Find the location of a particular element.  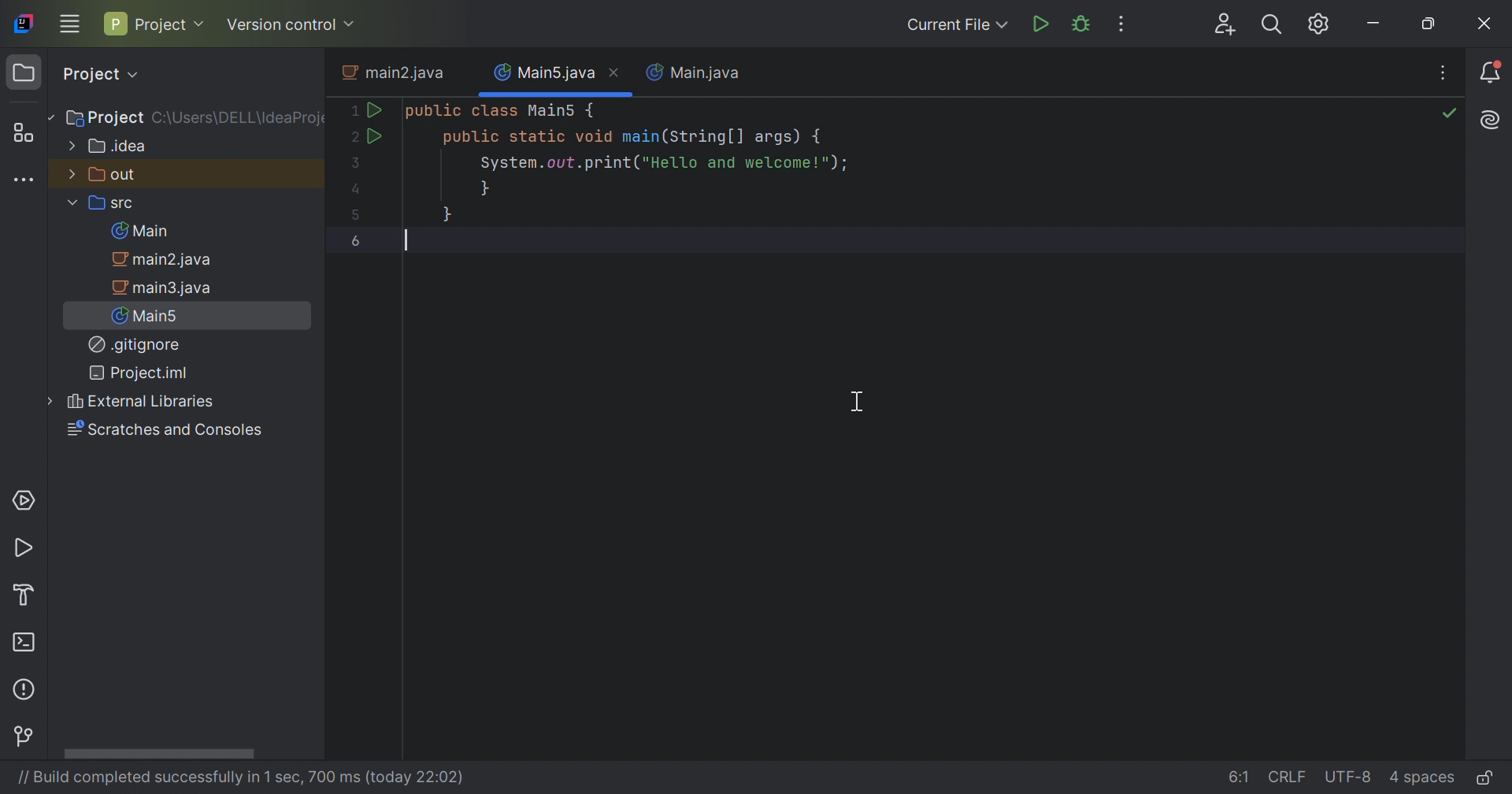

Current File is located at coordinates (954, 24).